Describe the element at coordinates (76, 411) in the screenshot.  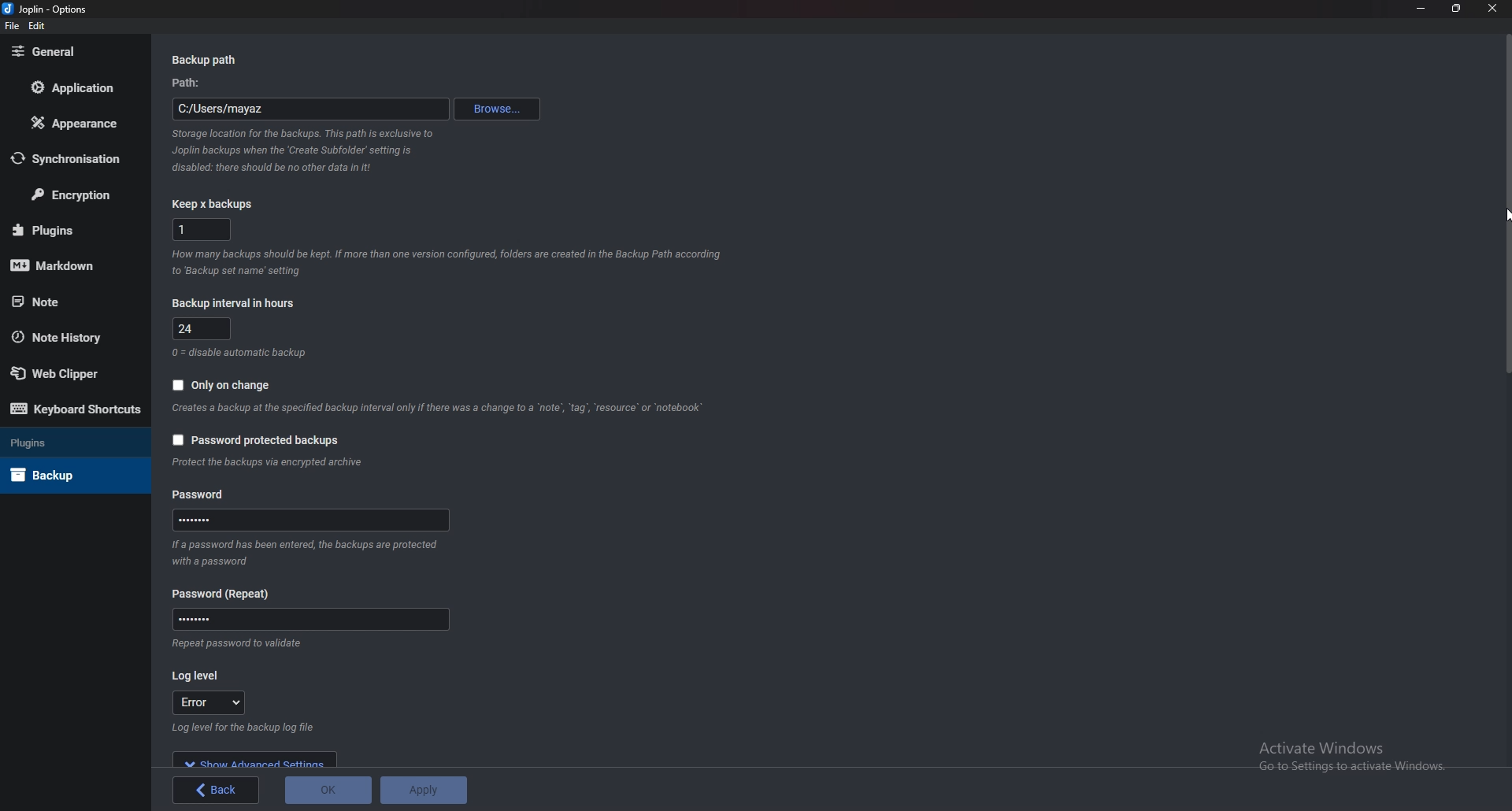
I see `Keyboard shortcuts` at that location.